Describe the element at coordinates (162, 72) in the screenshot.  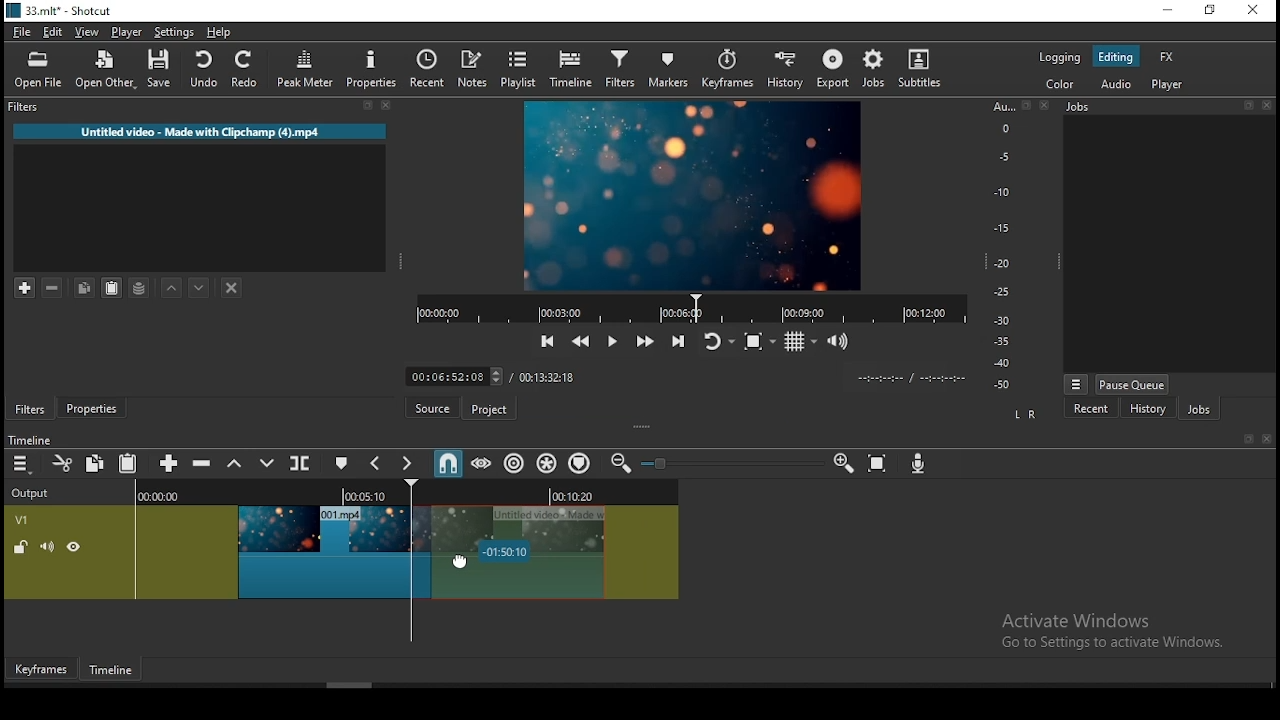
I see `save` at that location.